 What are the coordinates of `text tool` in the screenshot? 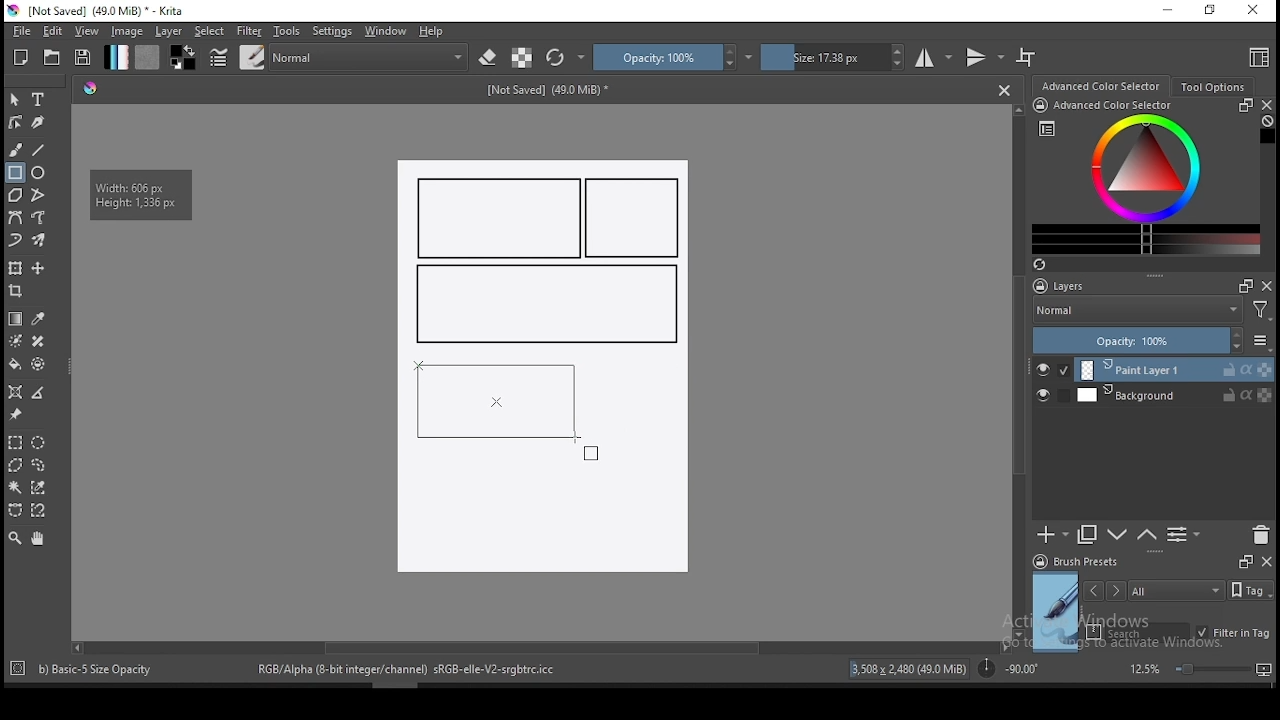 It's located at (39, 100).